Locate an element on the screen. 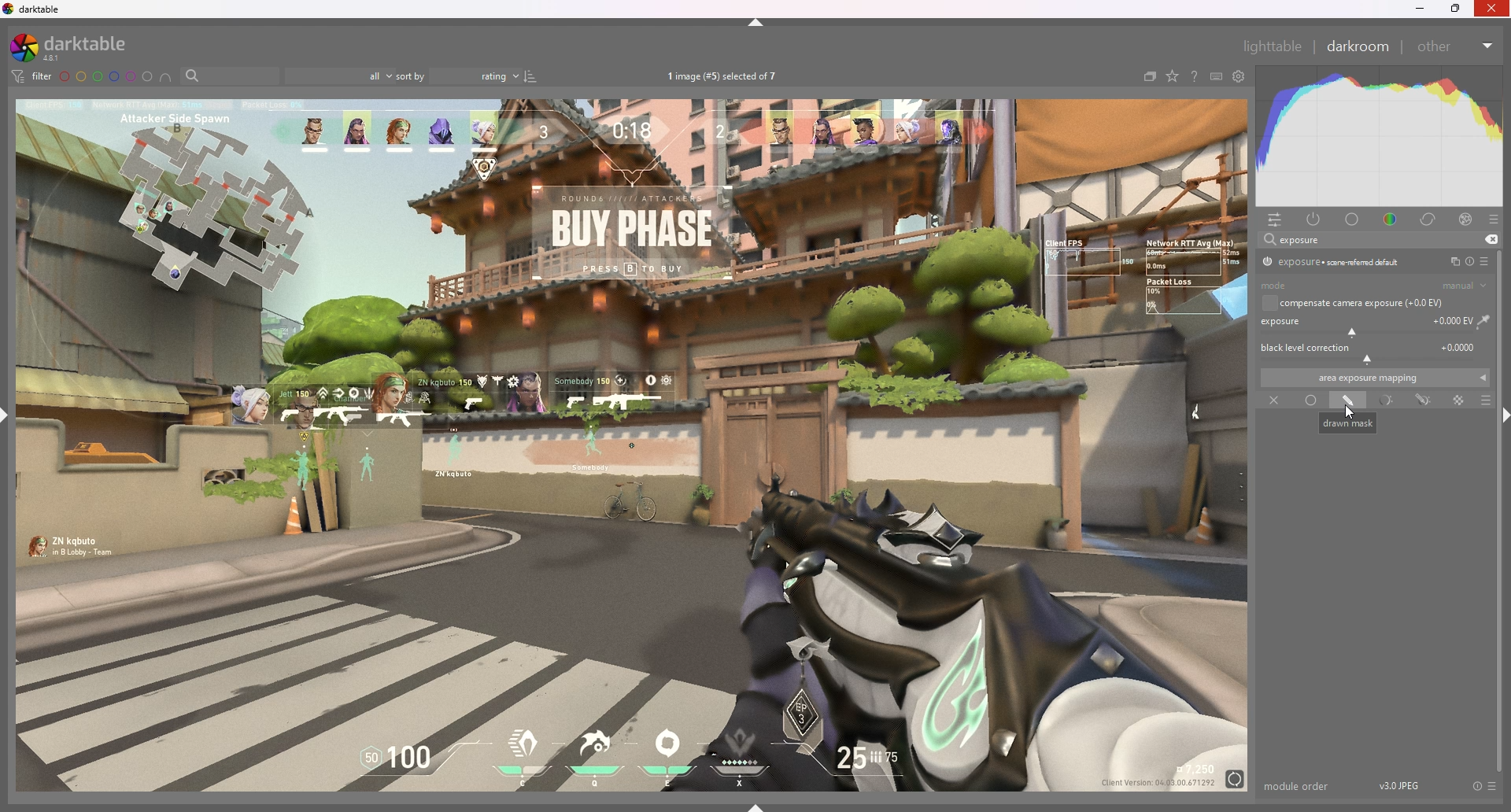 This screenshot has width=1511, height=812. color labels is located at coordinates (106, 77).